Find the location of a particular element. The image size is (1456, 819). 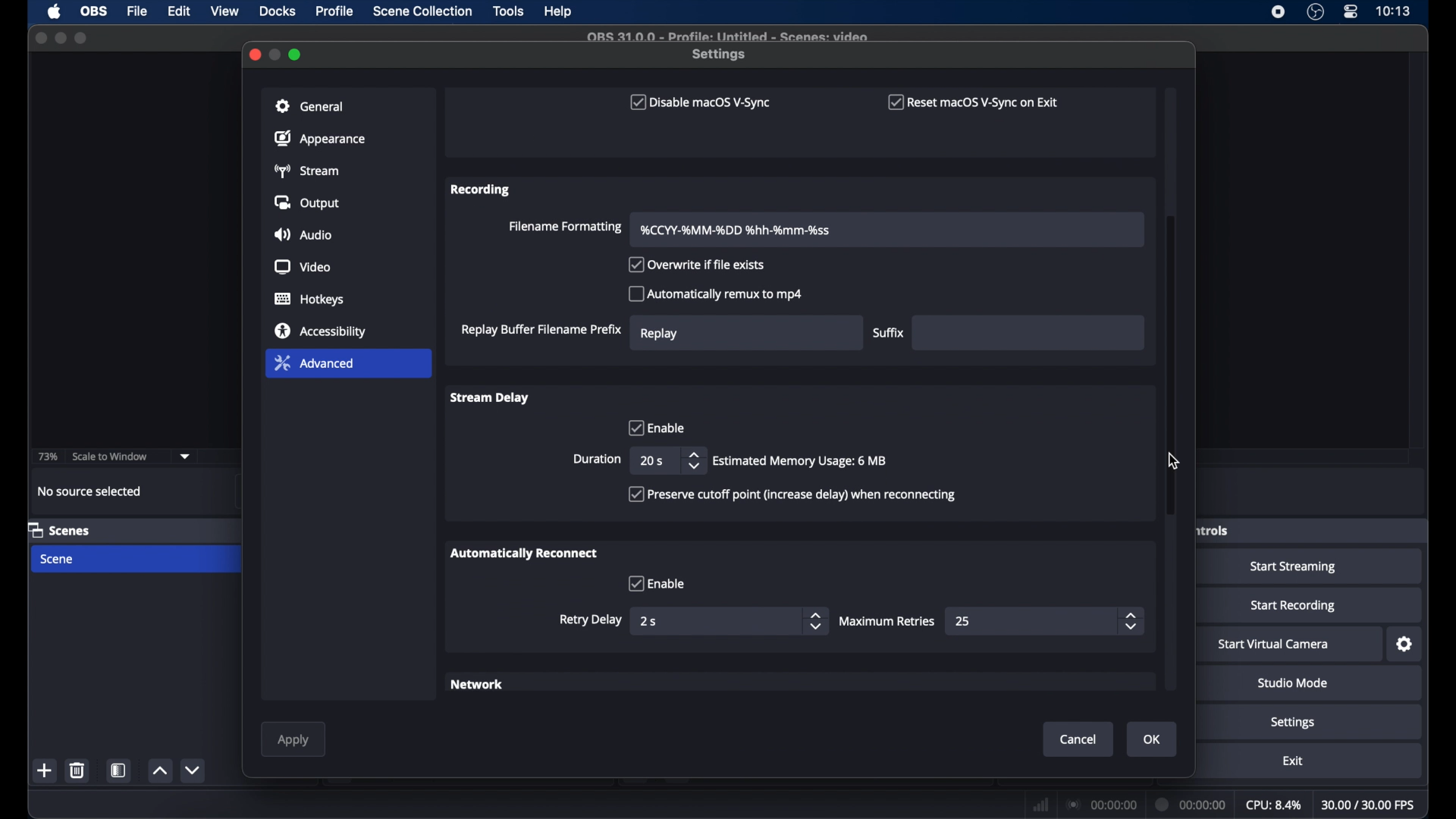

automatically remux to mp4 is located at coordinates (716, 293).